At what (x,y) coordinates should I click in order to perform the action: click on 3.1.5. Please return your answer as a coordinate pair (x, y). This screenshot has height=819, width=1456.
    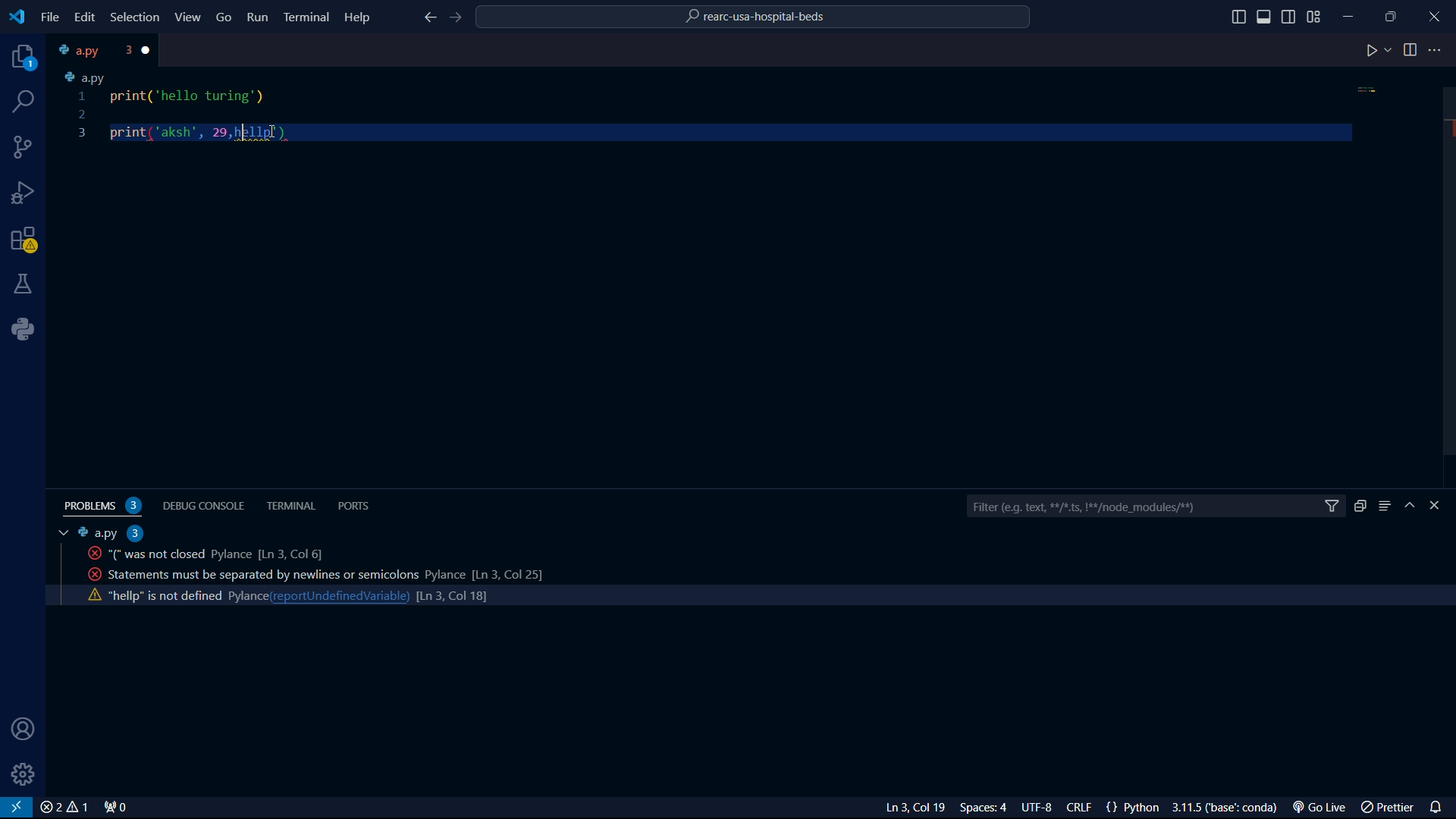
    Looking at the image, I should click on (1229, 808).